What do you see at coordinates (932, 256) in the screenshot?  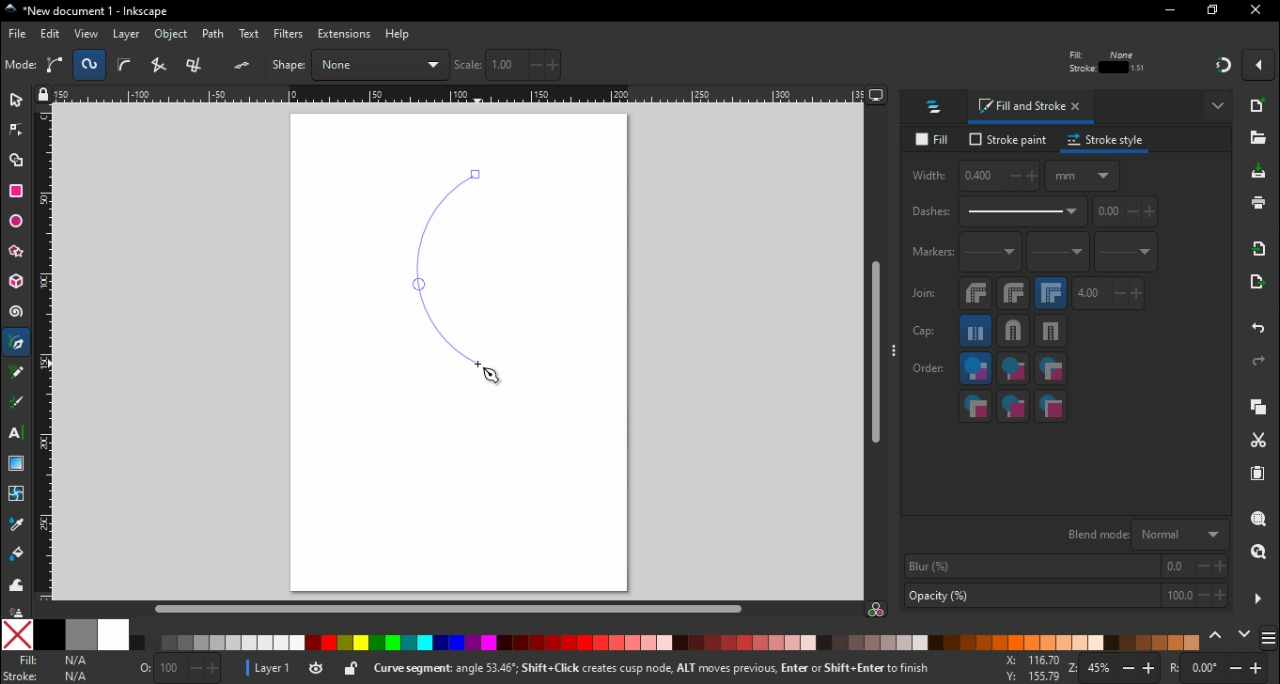 I see `markers` at bounding box center [932, 256].